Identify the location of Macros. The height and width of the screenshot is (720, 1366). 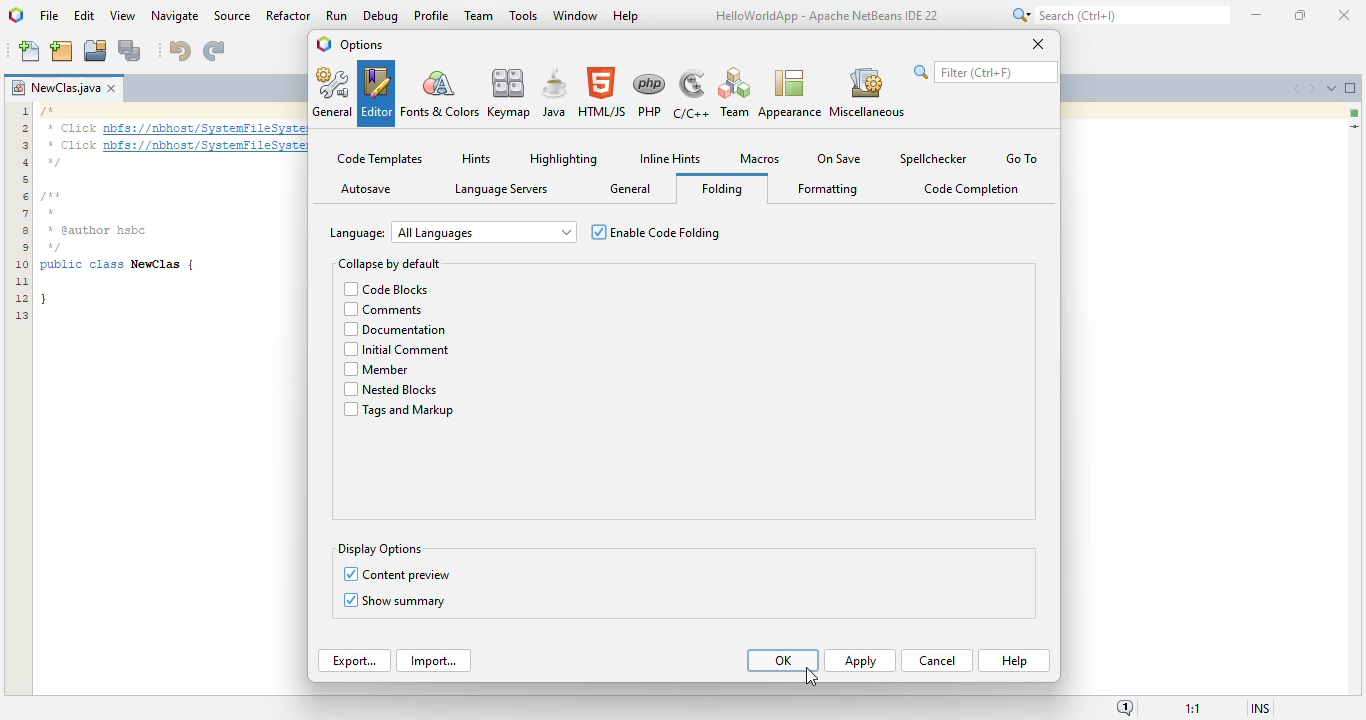
(762, 159).